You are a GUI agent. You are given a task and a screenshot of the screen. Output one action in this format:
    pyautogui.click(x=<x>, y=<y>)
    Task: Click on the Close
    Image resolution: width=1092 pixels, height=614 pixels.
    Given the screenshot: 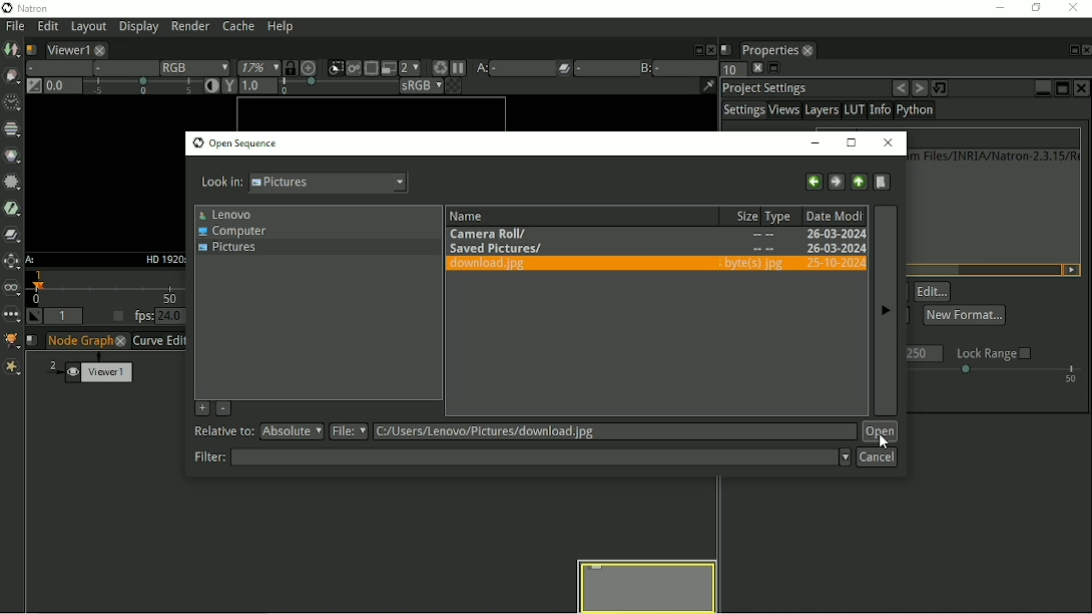 What is the action you would take?
    pyautogui.click(x=1075, y=8)
    